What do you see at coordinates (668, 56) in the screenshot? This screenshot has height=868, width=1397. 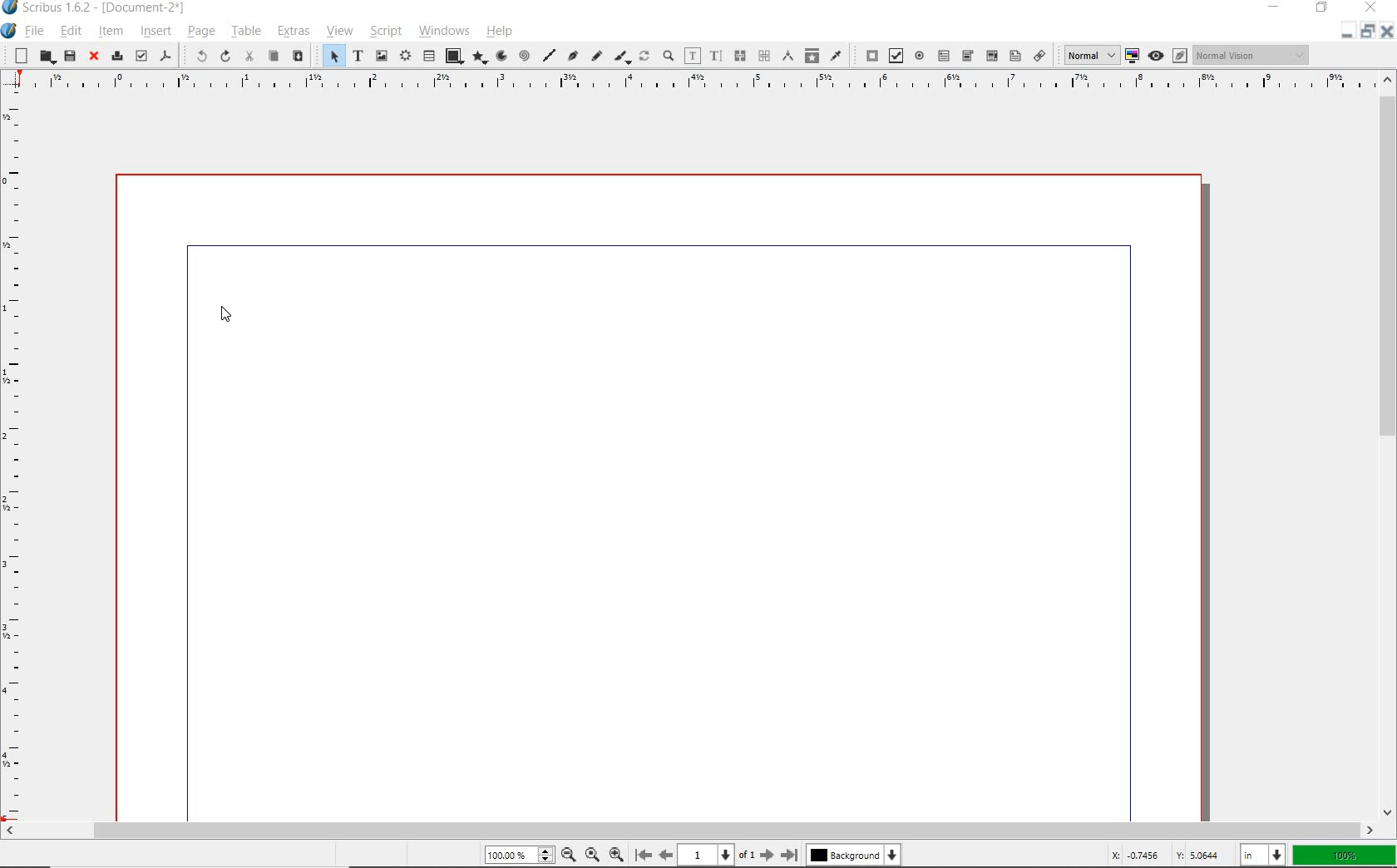 I see `zoom in or zoom out` at bounding box center [668, 56].